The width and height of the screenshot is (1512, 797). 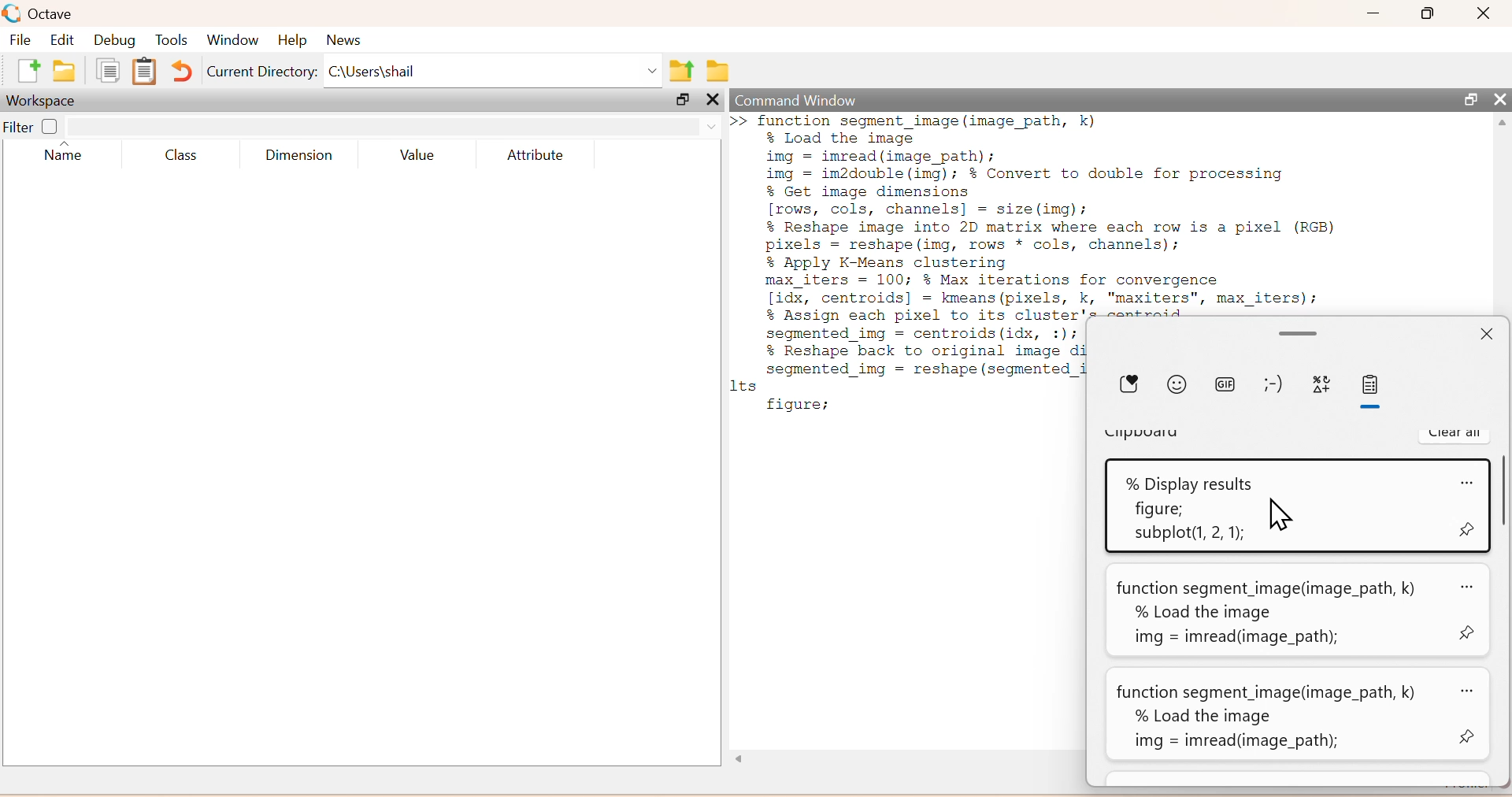 I want to click on paste, so click(x=1373, y=390).